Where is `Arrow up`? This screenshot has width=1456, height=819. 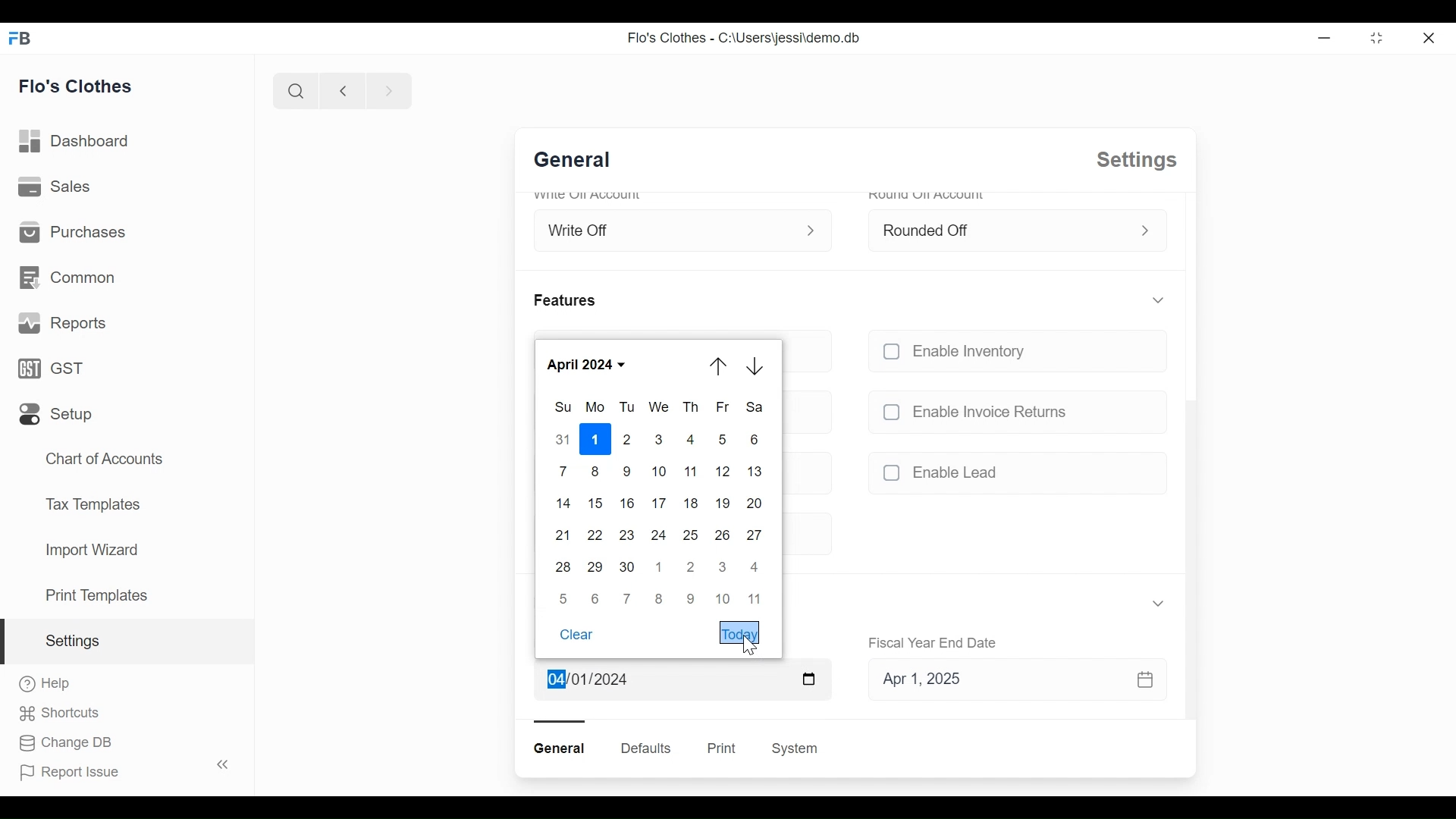 Arrow up is located at coordinates (720, 367).